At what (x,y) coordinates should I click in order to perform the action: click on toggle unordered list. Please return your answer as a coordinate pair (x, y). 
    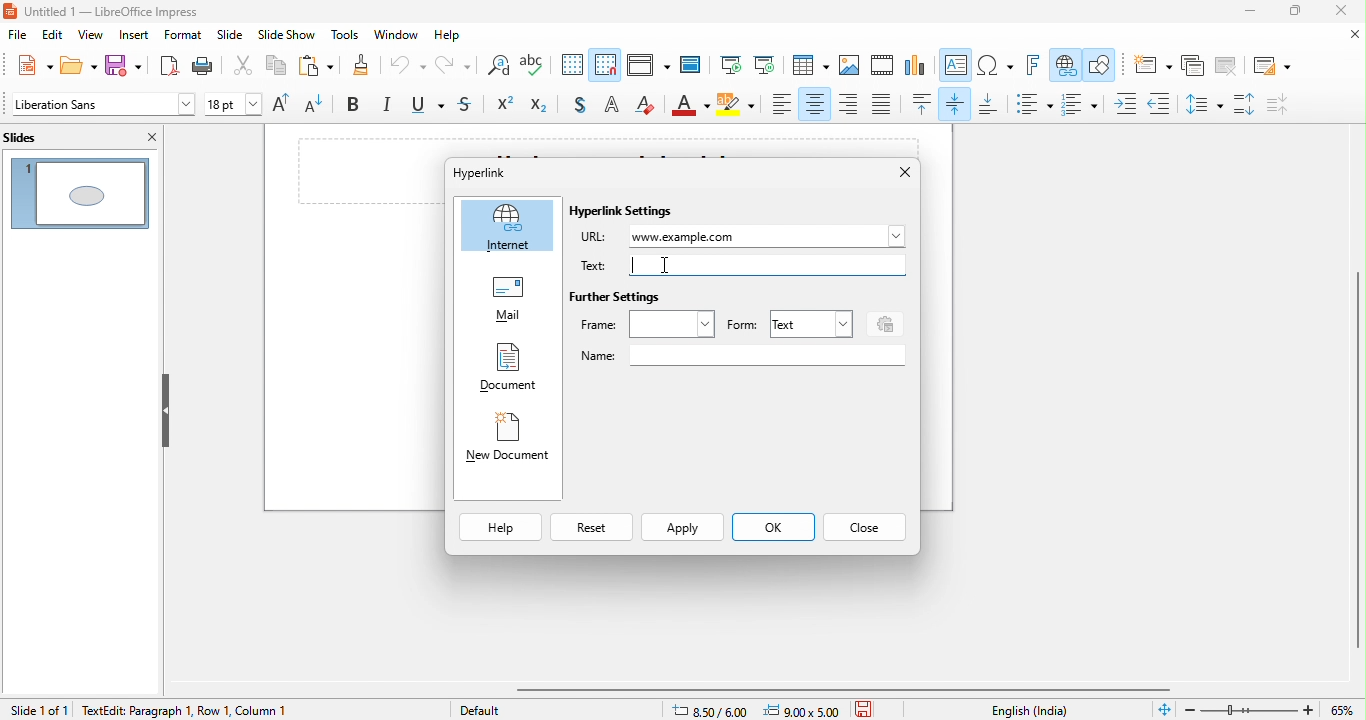
    Looking at the image, I should click on (1033, 104).